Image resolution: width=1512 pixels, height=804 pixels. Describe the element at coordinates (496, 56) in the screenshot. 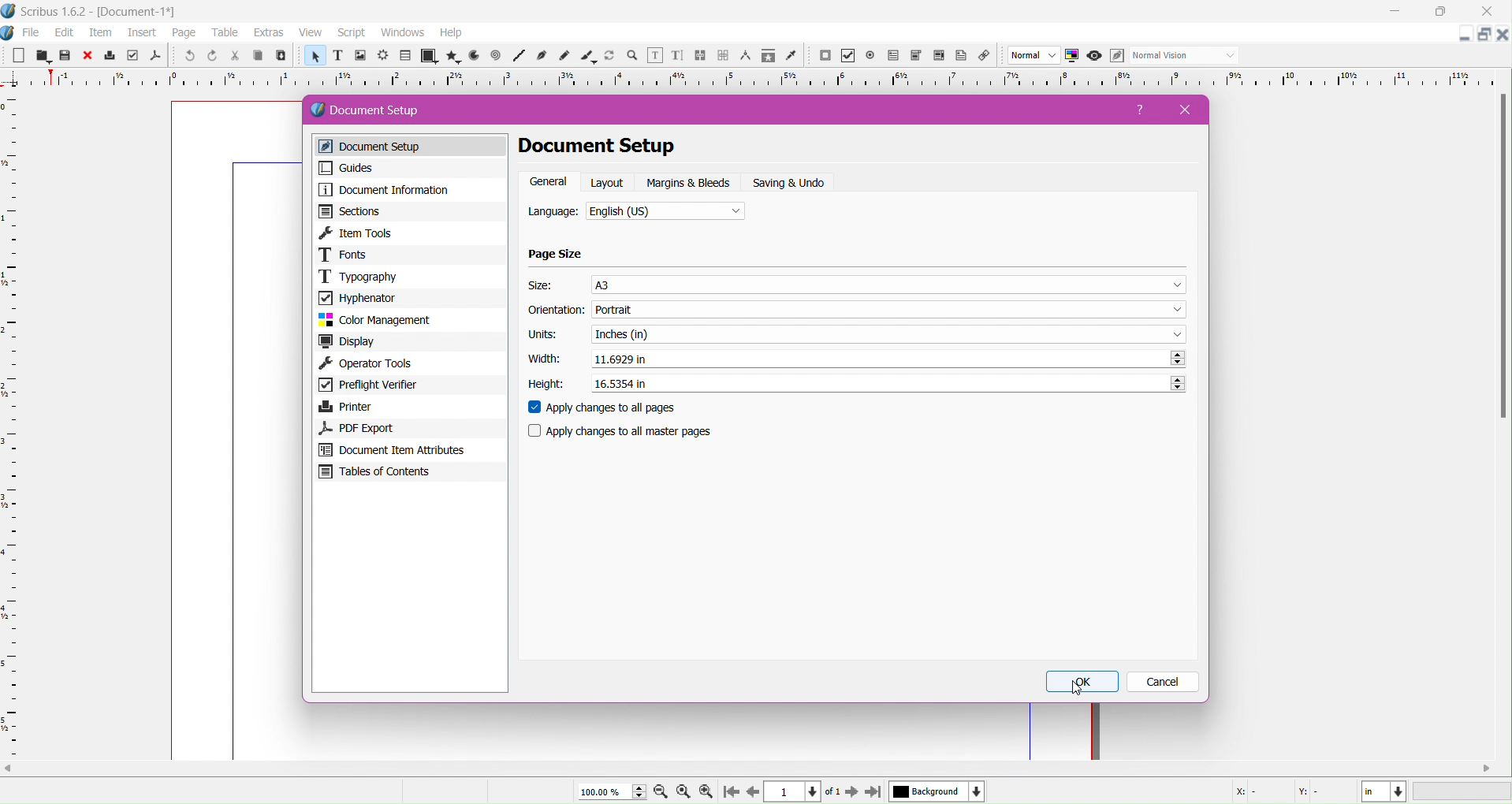

I see `spiral` at that location.